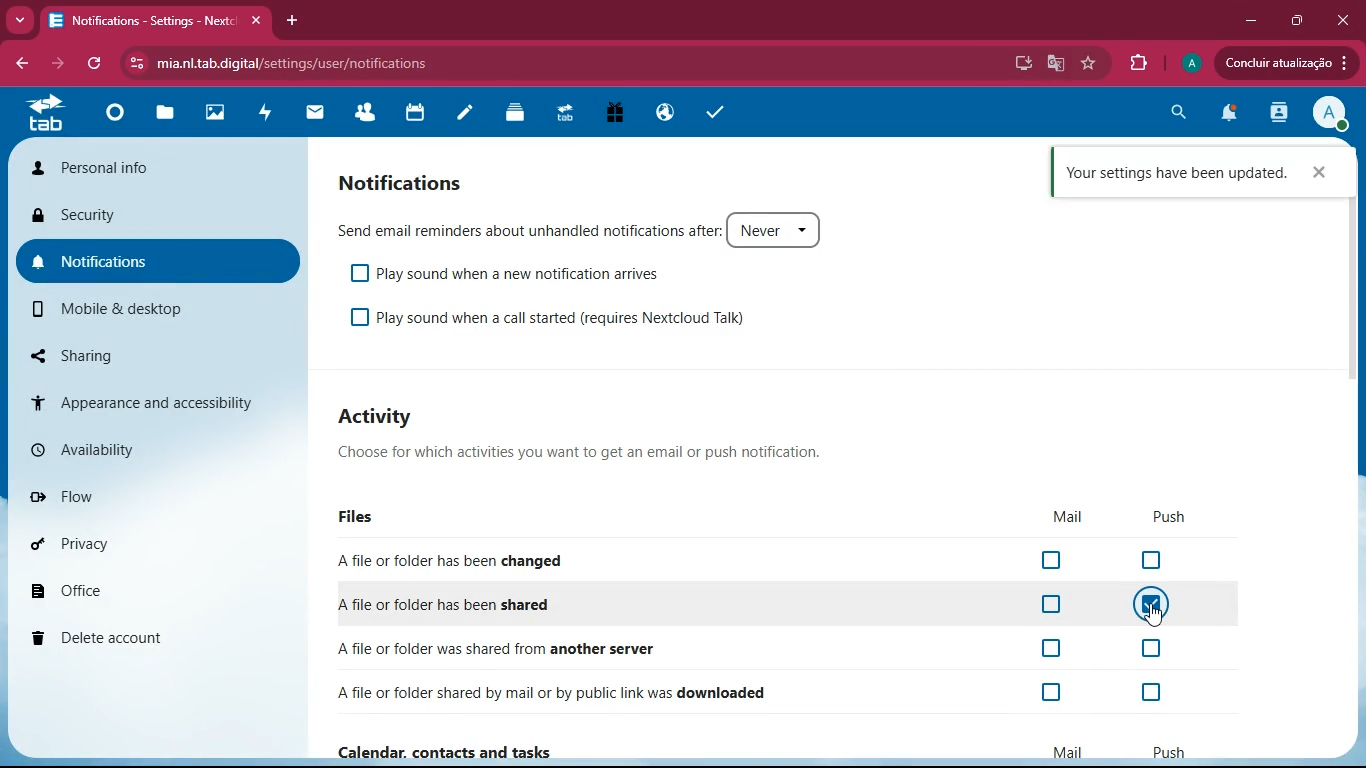 This screenshot has width=1366, height=768. I want to click on off, so click(1048, 605).